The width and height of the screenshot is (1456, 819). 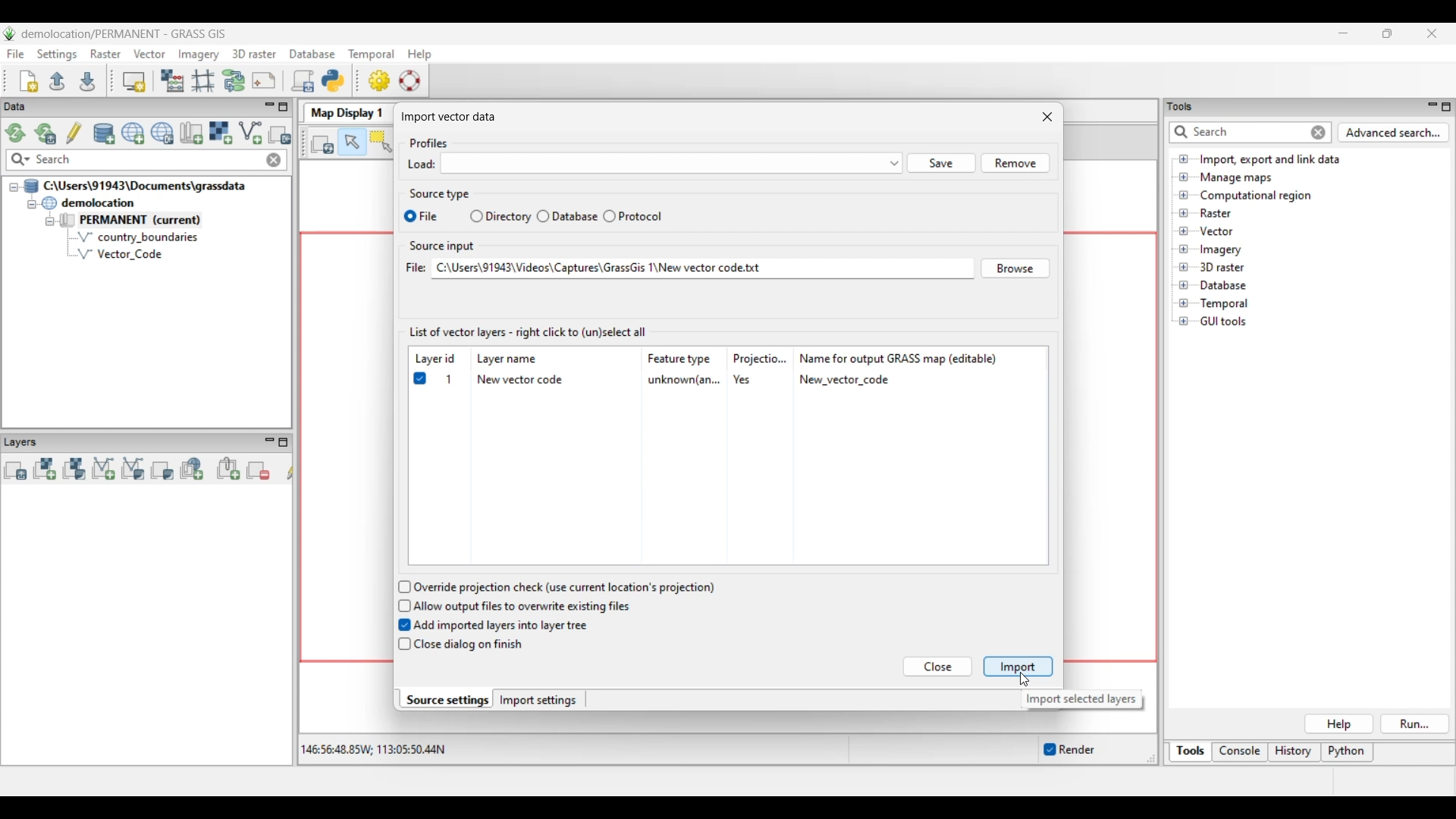 I want to click on Start new map display, so click(x=134, y=82).